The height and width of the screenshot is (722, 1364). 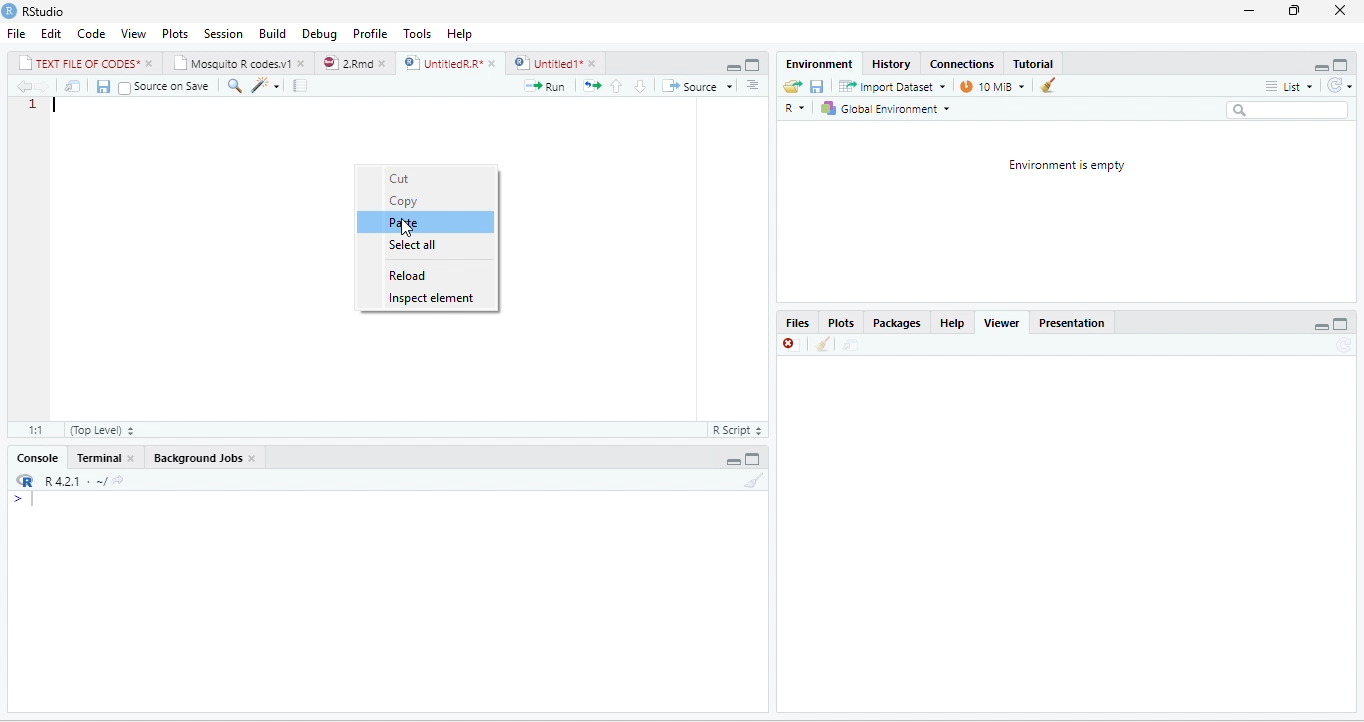 What do you see at coordinates (15, 33) in the screenshot?
I see `File` at bounding box center [15, 33].